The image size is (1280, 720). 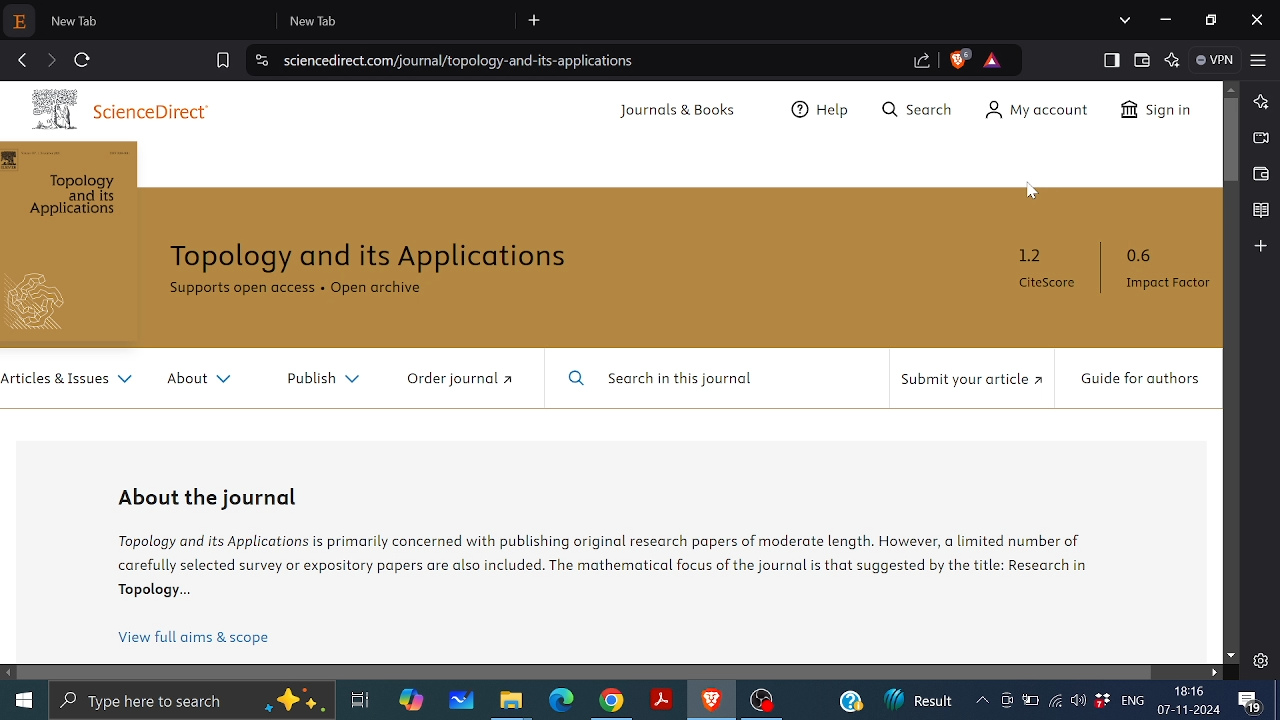 I want to click on View full aims and scope, so click(x=193, y=640).